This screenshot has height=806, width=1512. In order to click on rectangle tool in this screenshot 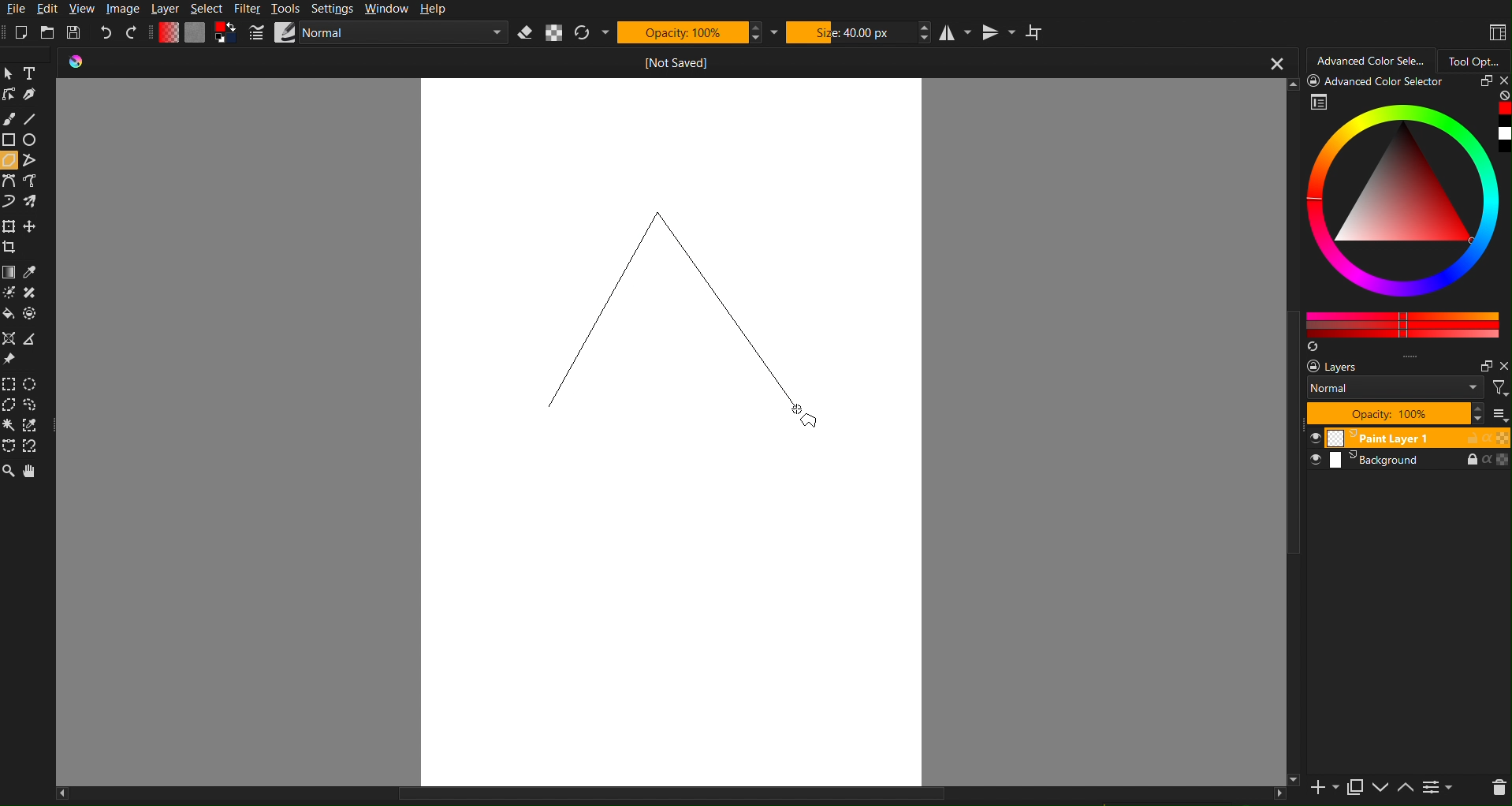, I will do `click(9, 140)`.